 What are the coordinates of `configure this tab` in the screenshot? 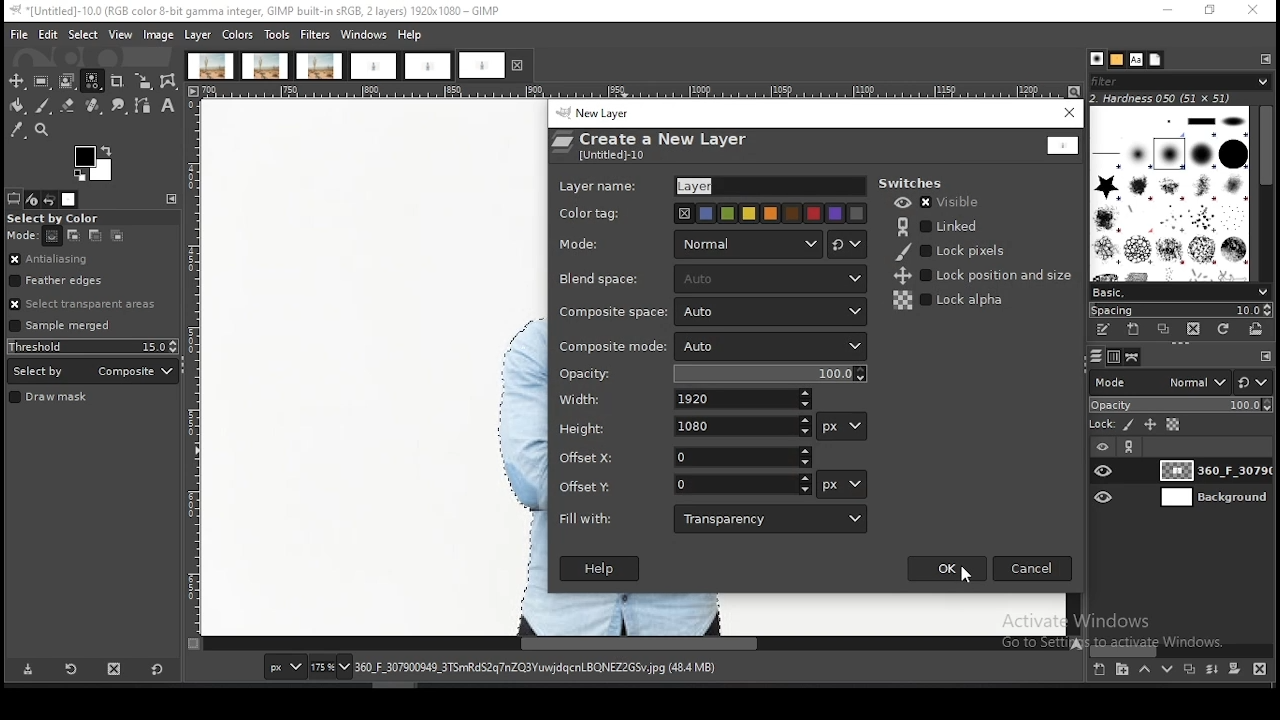 It's located at (171, 199).